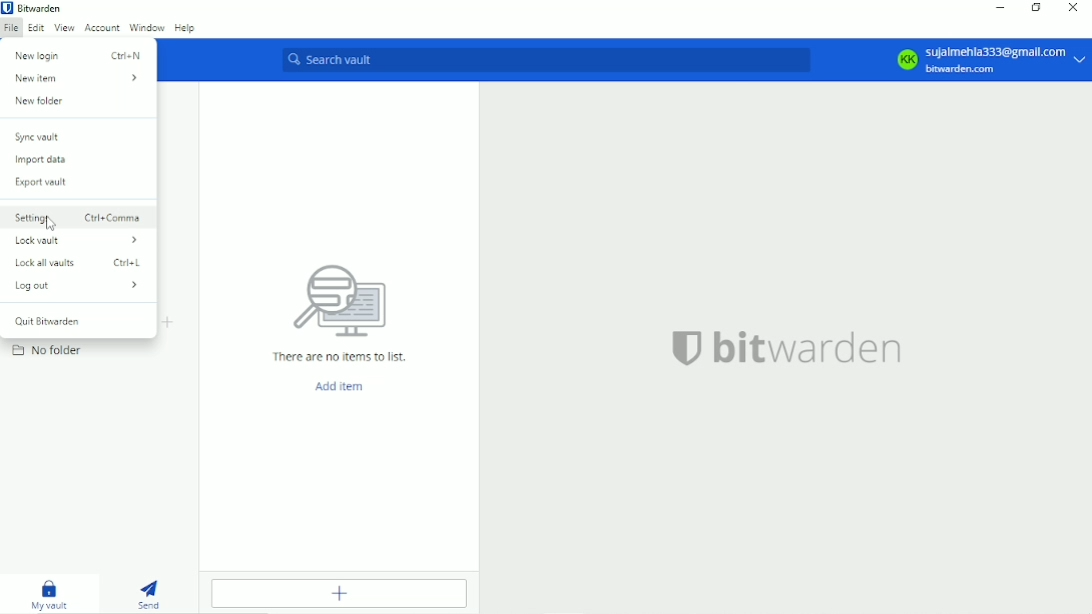 Image resolution: width=1092 pixels, height=614 pixels. I want to click on Lock all vaults  Ctrl+L, so click(77, 261).